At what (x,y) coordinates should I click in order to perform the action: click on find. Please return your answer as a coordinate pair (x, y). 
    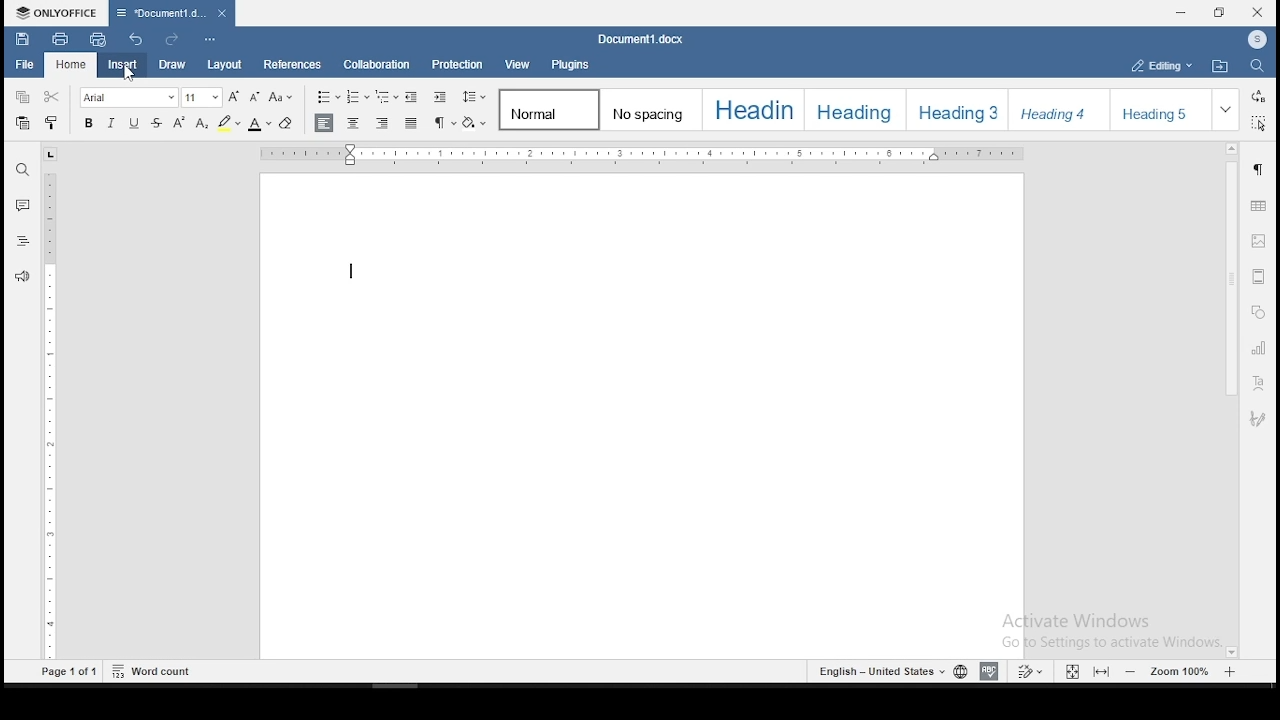
    Looking at the image, I should click on (23, 168).